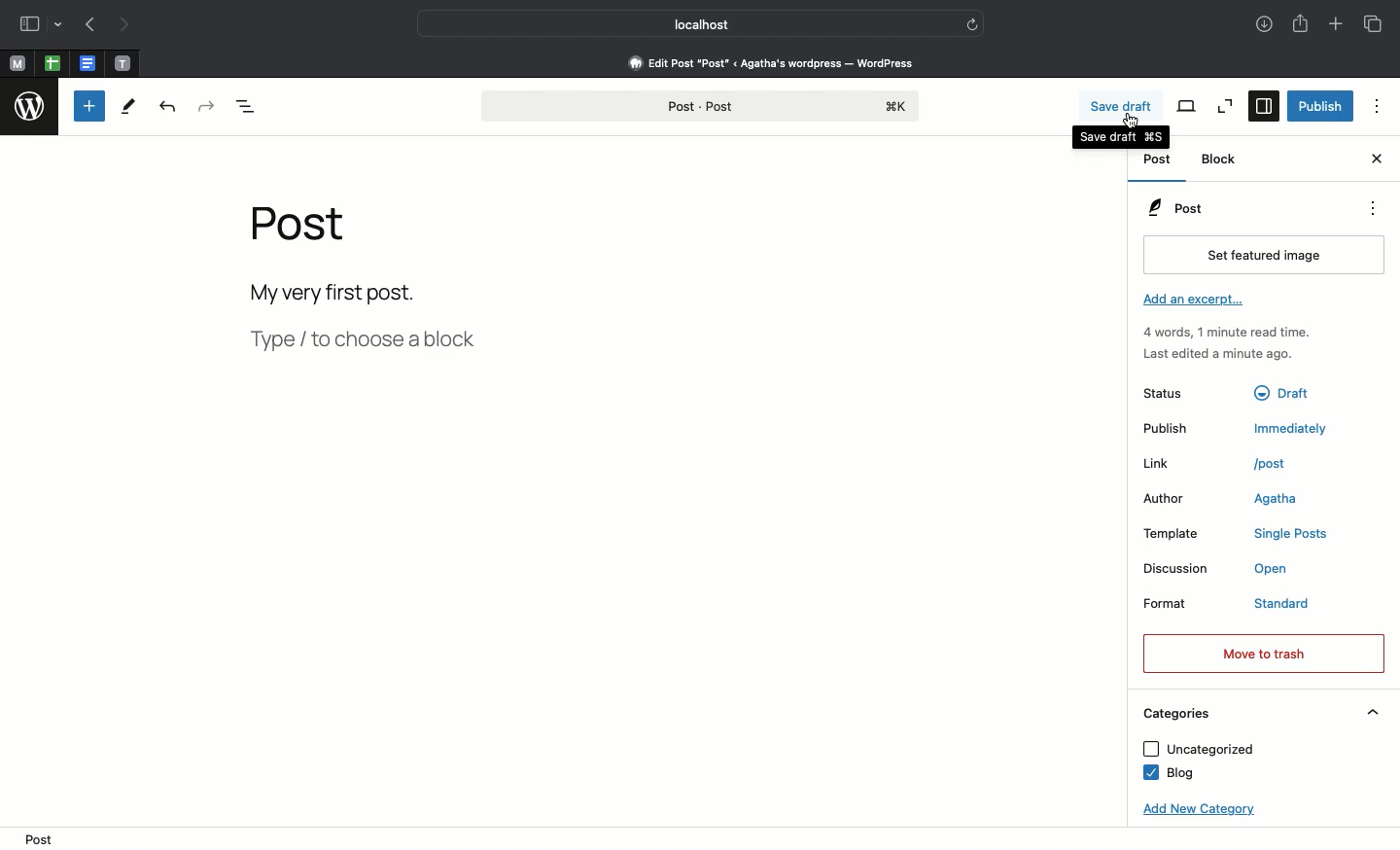 This screenshot has width=1400, height=850. What do you see at coordinates (306, 233) in the screenshot?
I see `Post` at bounding box center [306, 233].